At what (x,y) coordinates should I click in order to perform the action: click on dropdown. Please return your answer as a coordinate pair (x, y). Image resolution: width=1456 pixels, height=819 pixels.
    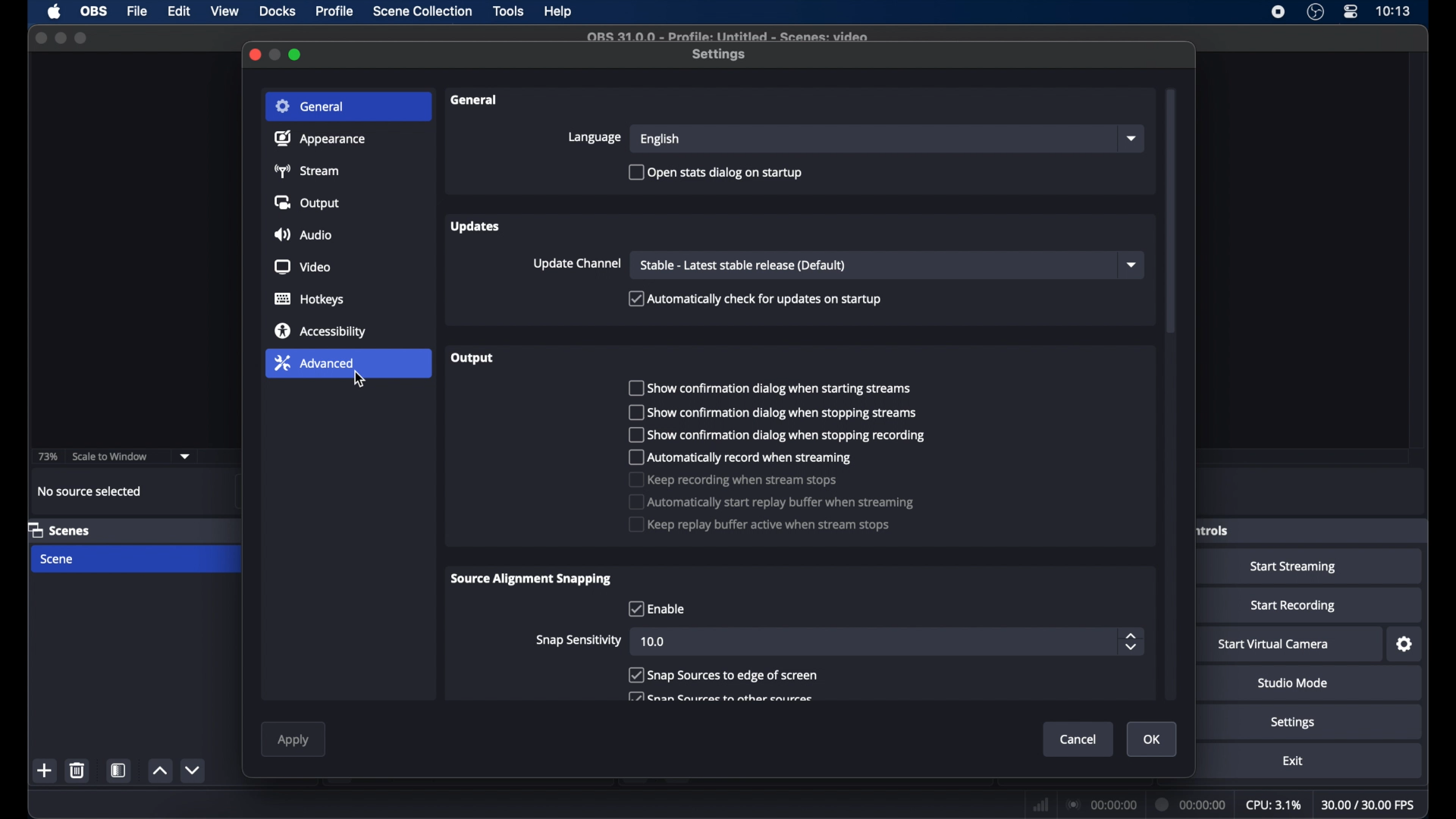
    Looking at the image, I should click on (1131, 140).